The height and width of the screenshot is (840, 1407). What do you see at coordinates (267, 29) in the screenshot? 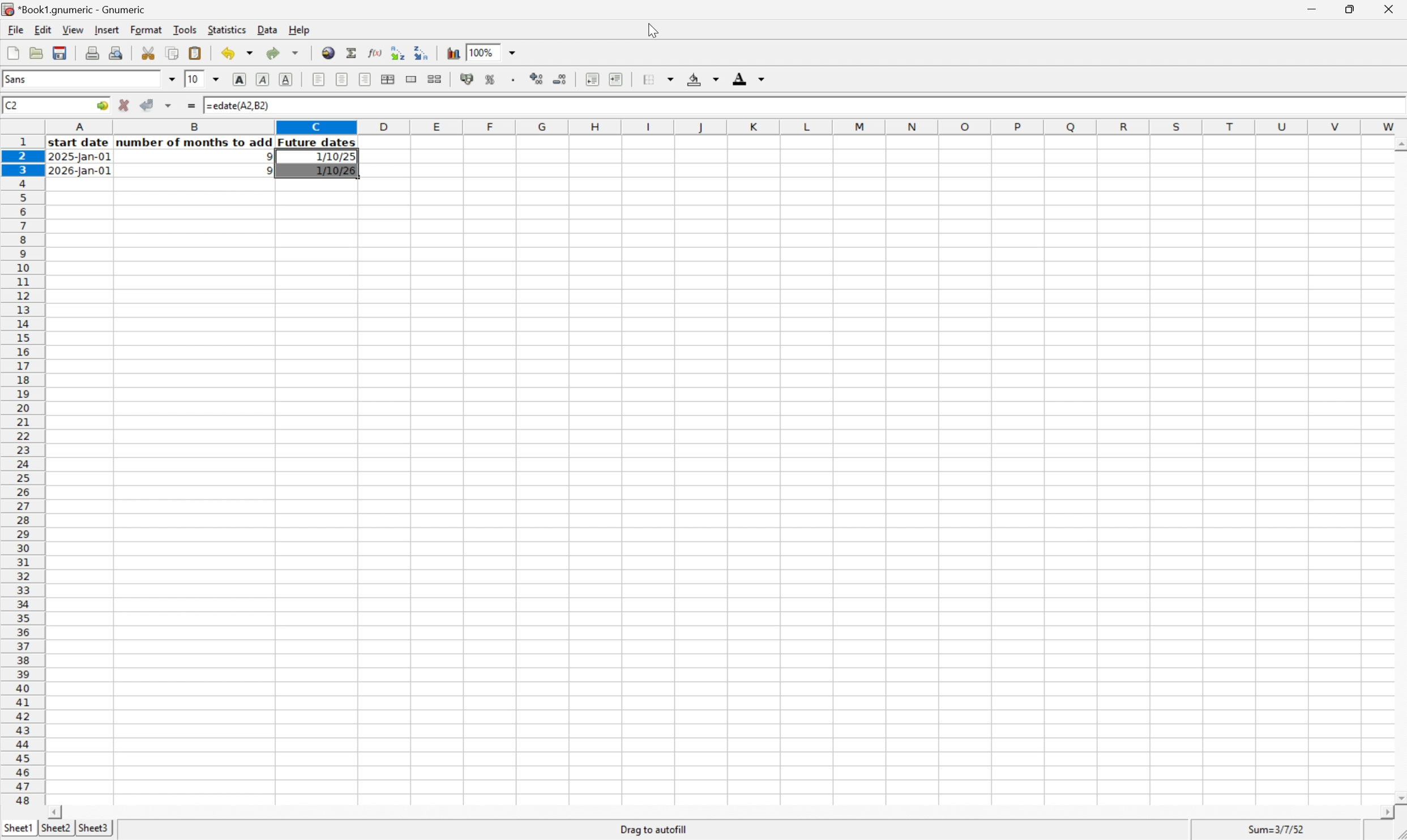
I see `Data` at bounding box center [267, 29].